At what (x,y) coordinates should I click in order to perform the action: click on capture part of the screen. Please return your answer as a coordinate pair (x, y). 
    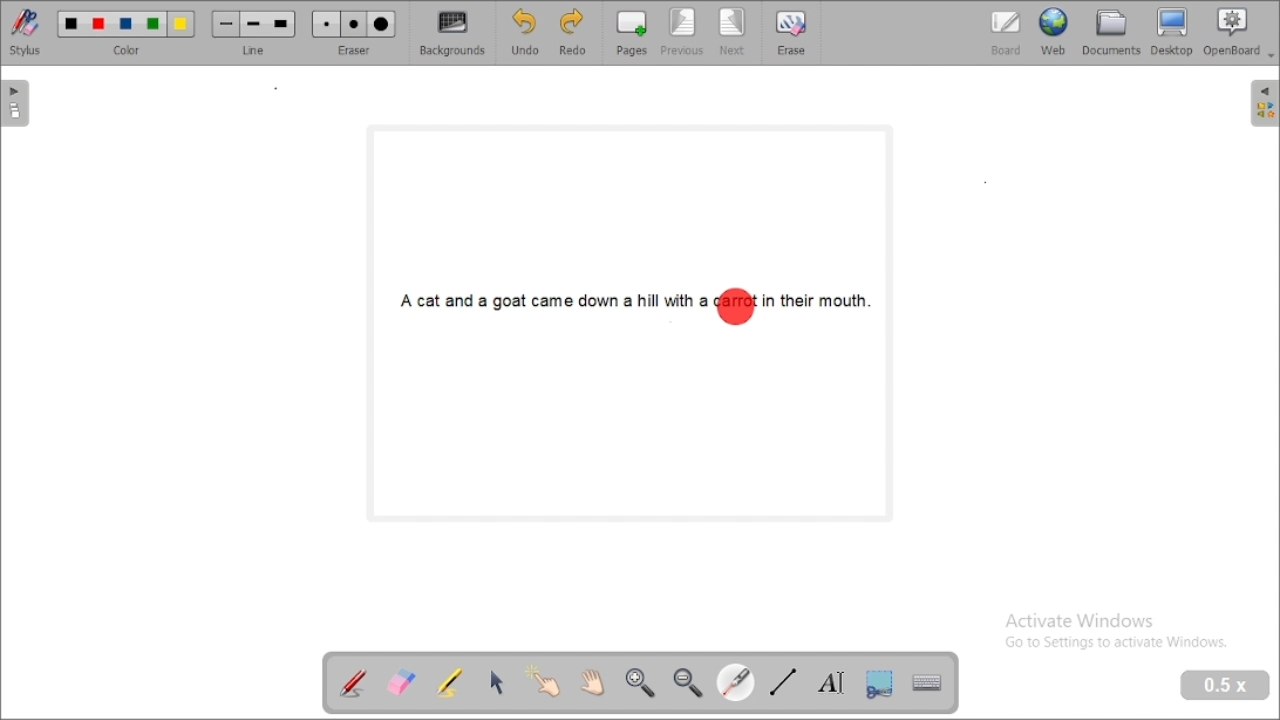
    Looking at the image, I should click on (880, 683).